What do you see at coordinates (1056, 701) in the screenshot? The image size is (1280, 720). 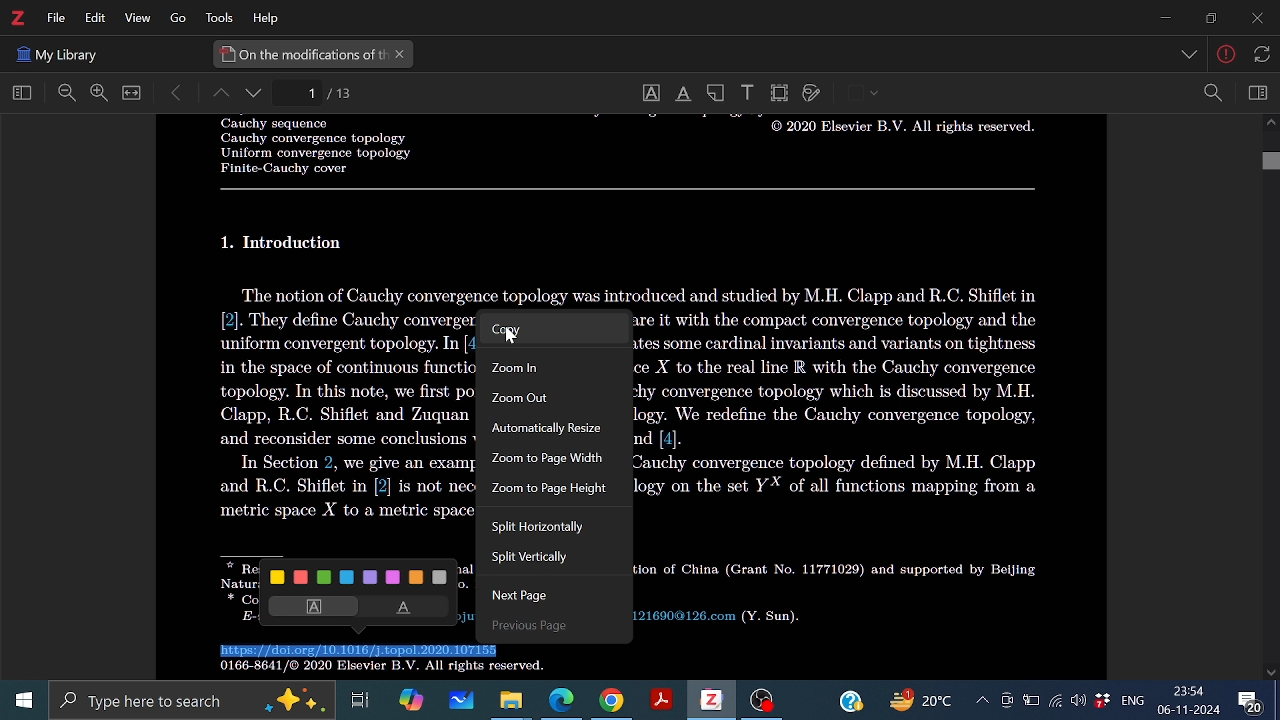 I see `Internet access` at bounding box center [1056, 701].